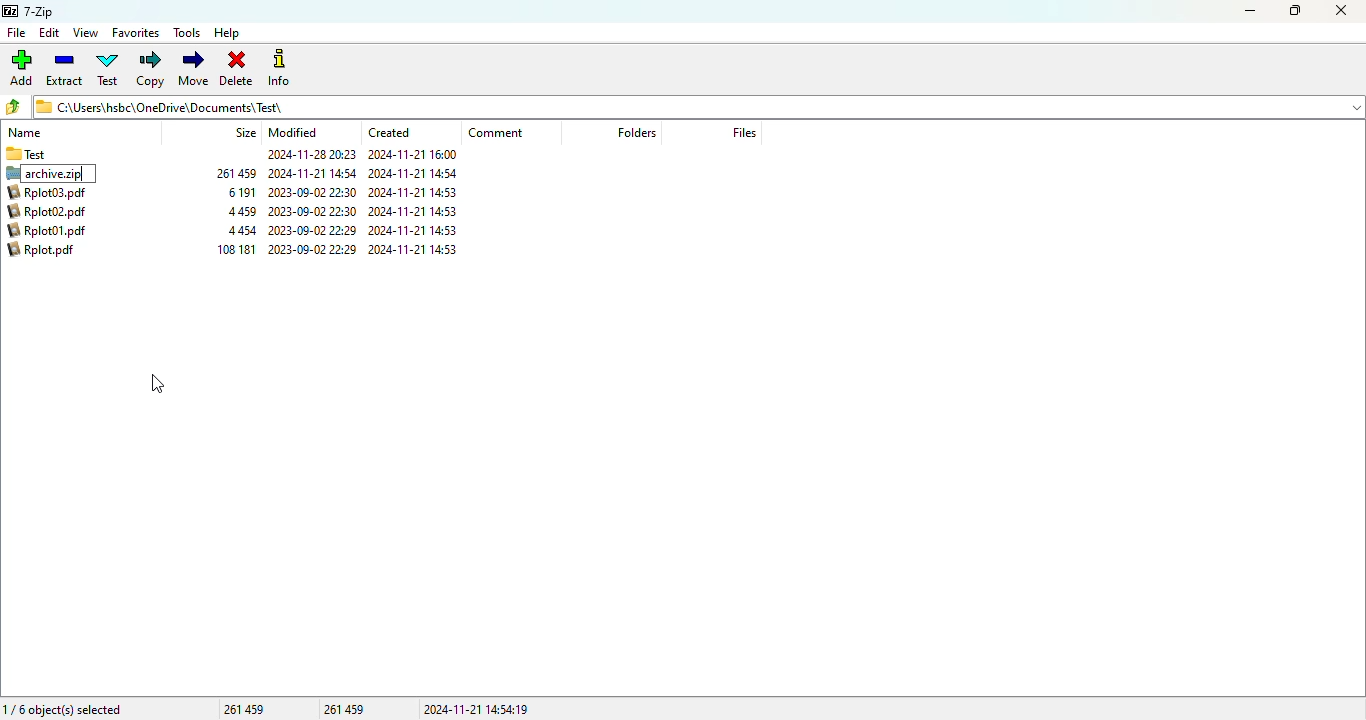 The height and width of the screenshot is (720, 1366). Describe the element at coordinates (237, 172) in the screenshot. I see `261 459` at that location.